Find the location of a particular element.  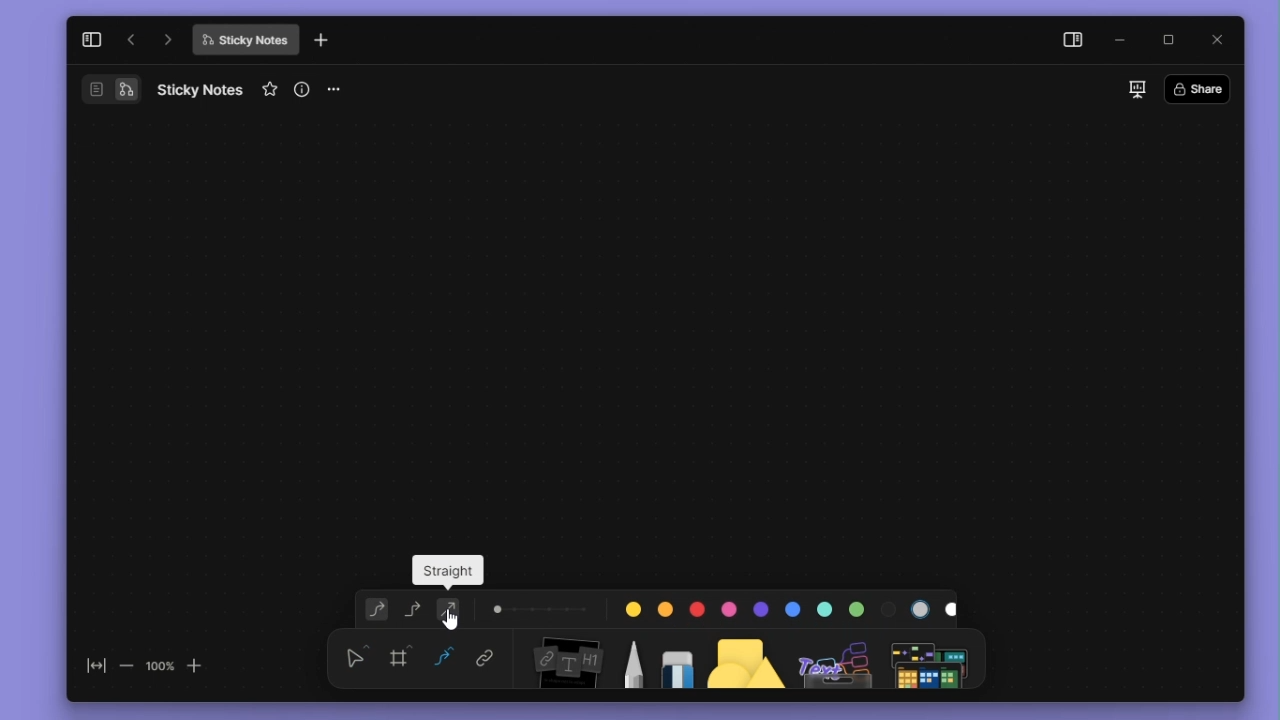

file name is located at coordinates (245, 40).